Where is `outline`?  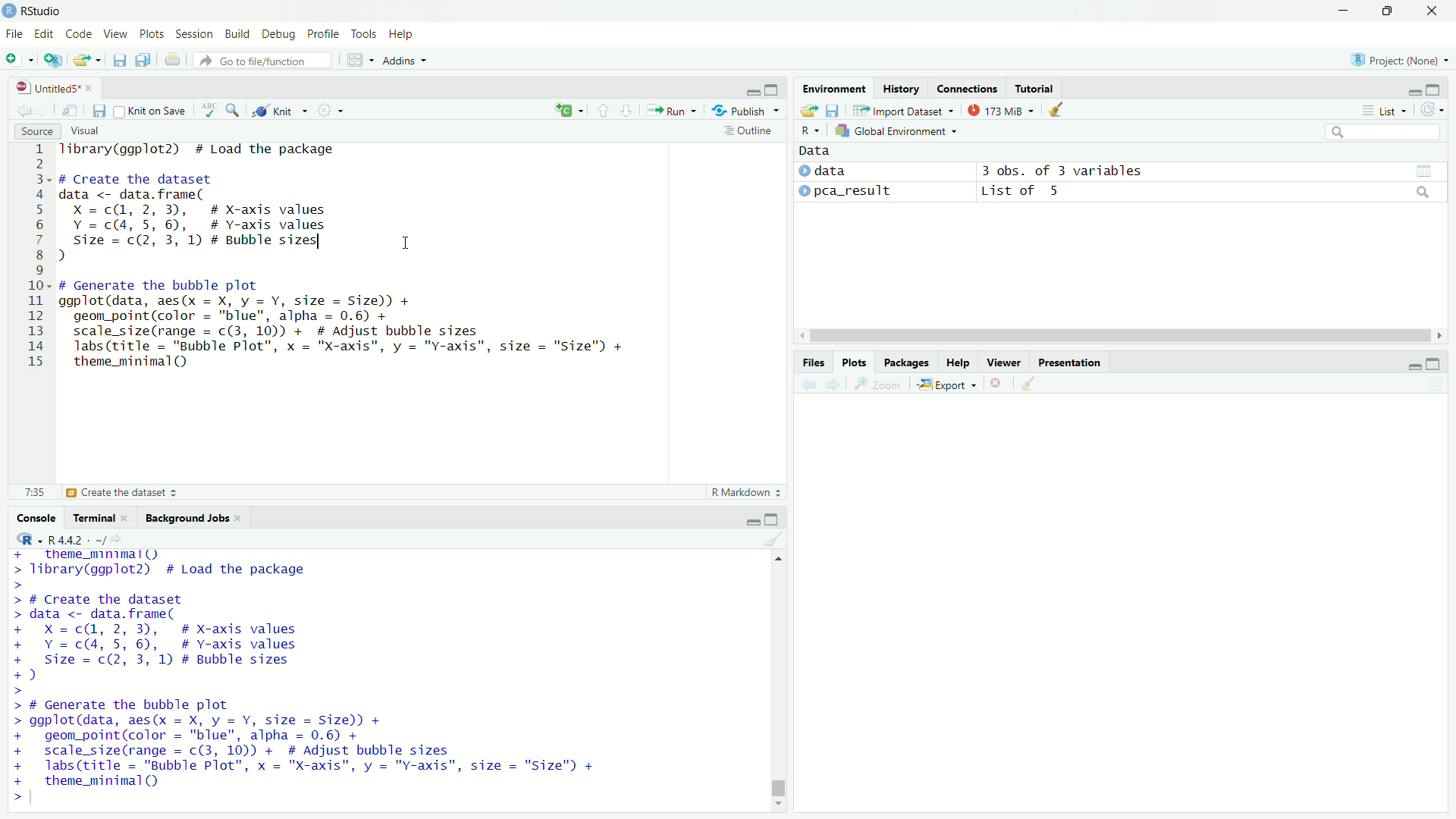 outline is located at coordinates (749, 130).